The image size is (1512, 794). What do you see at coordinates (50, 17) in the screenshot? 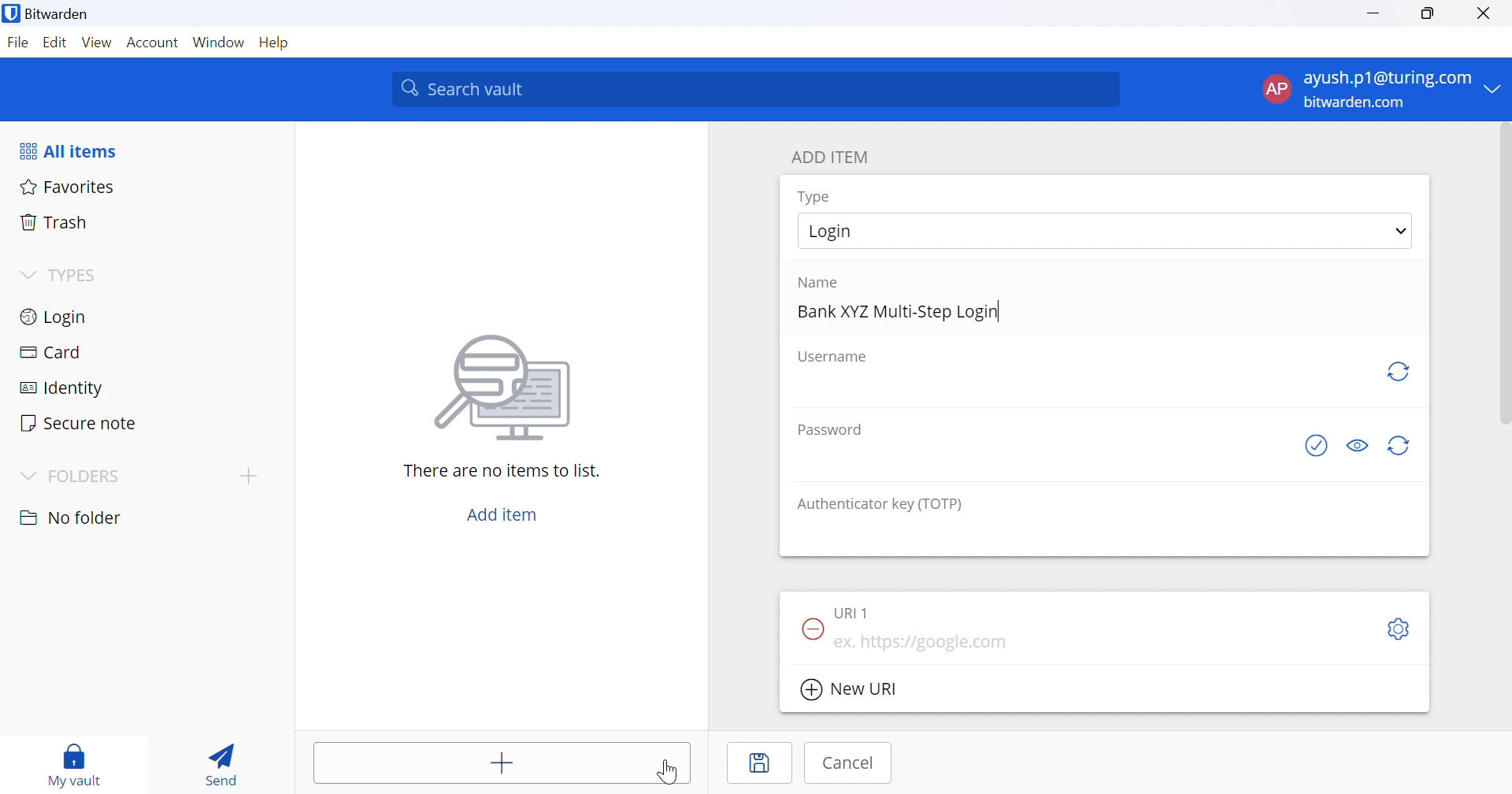
I see `Bitwarden` at bounding box center [50, 17].